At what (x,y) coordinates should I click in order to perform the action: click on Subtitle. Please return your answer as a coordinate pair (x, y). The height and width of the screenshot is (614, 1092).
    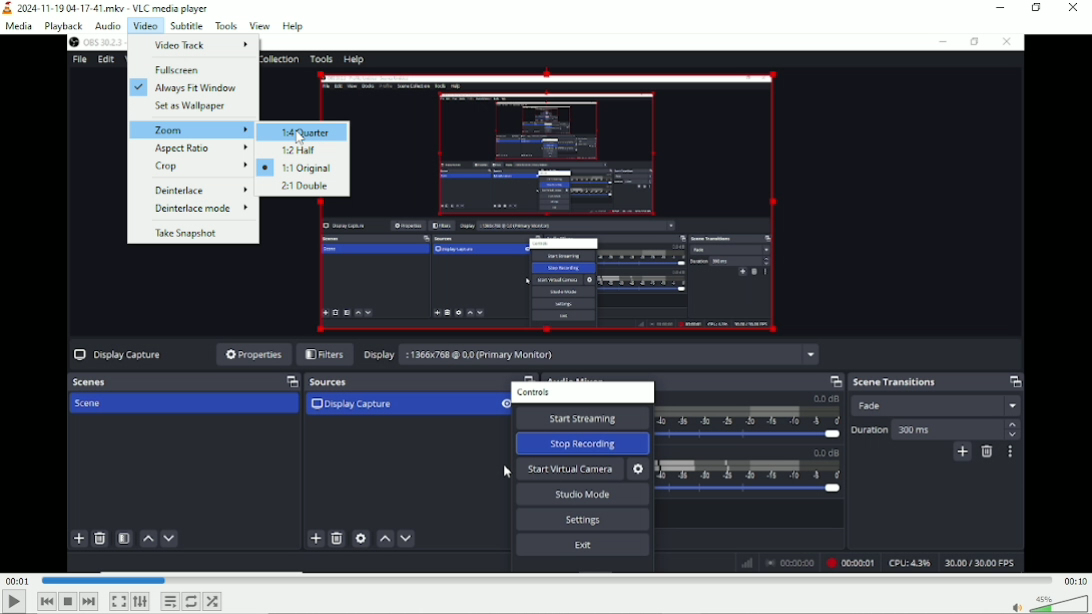
    Looking at the image, I should click on (187, 25).